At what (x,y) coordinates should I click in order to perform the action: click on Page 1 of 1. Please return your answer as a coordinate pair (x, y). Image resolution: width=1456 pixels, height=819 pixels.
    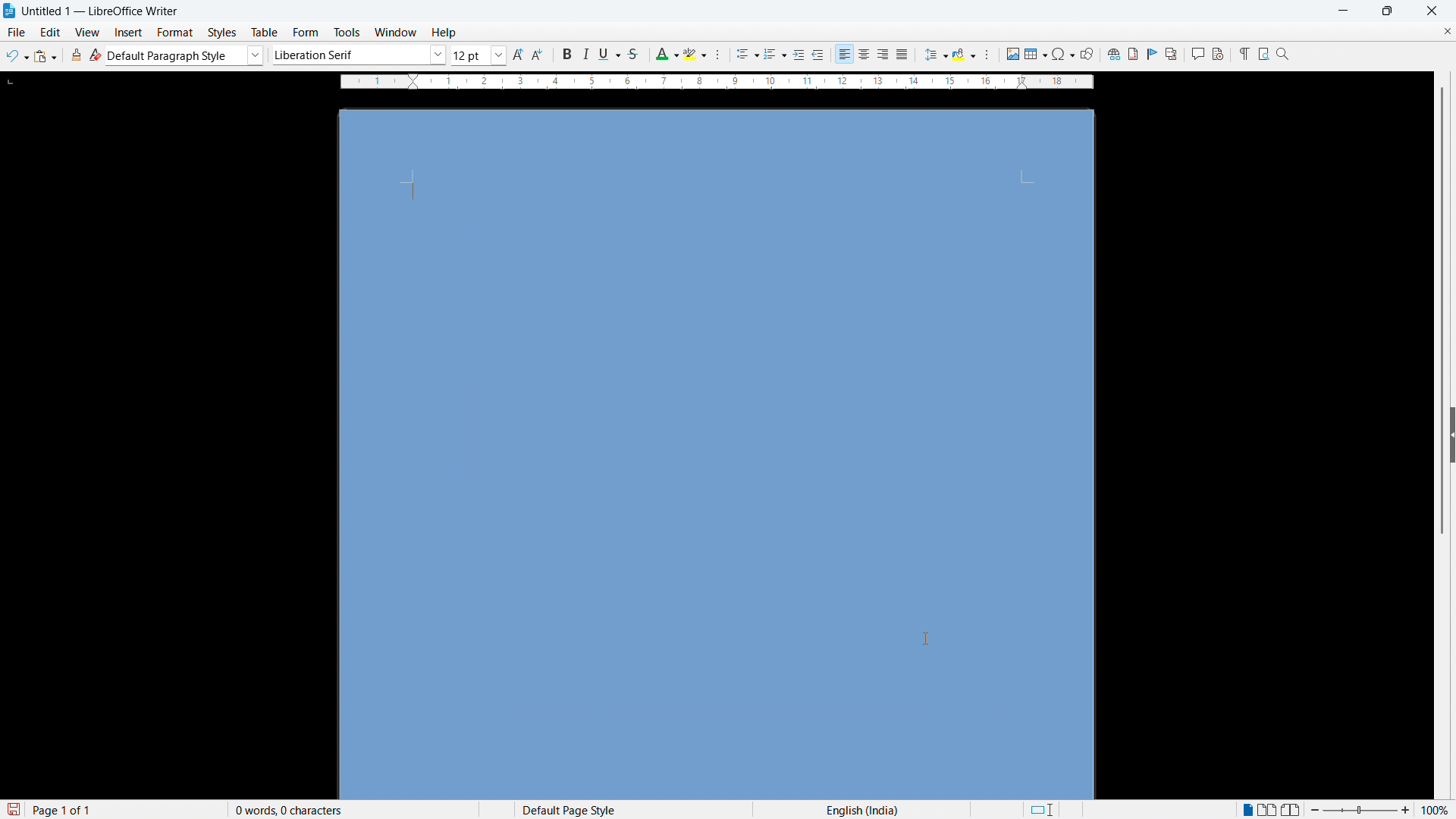
    Looking at the image, I should click on (63, 809).